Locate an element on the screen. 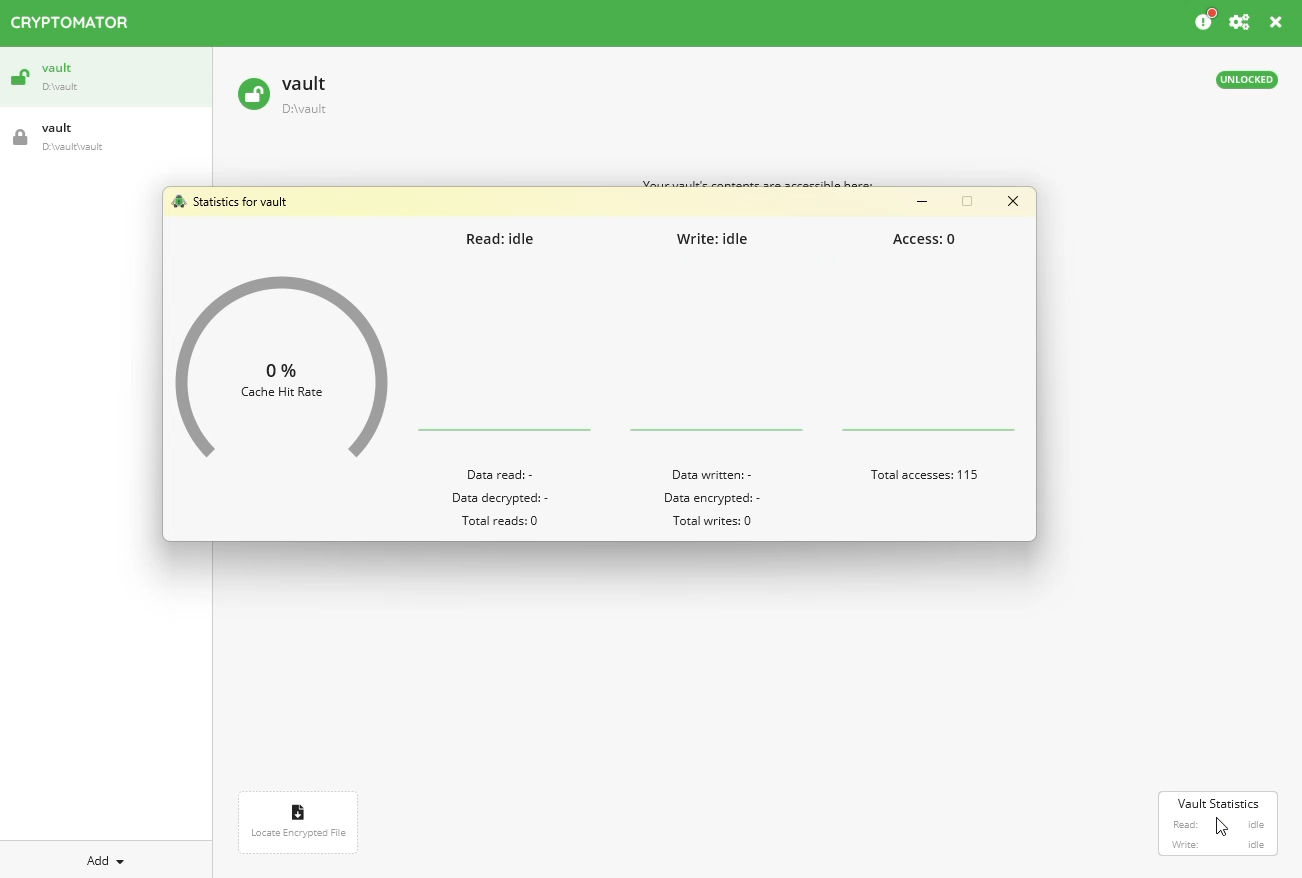  vault is located at coordinates (105, 78).